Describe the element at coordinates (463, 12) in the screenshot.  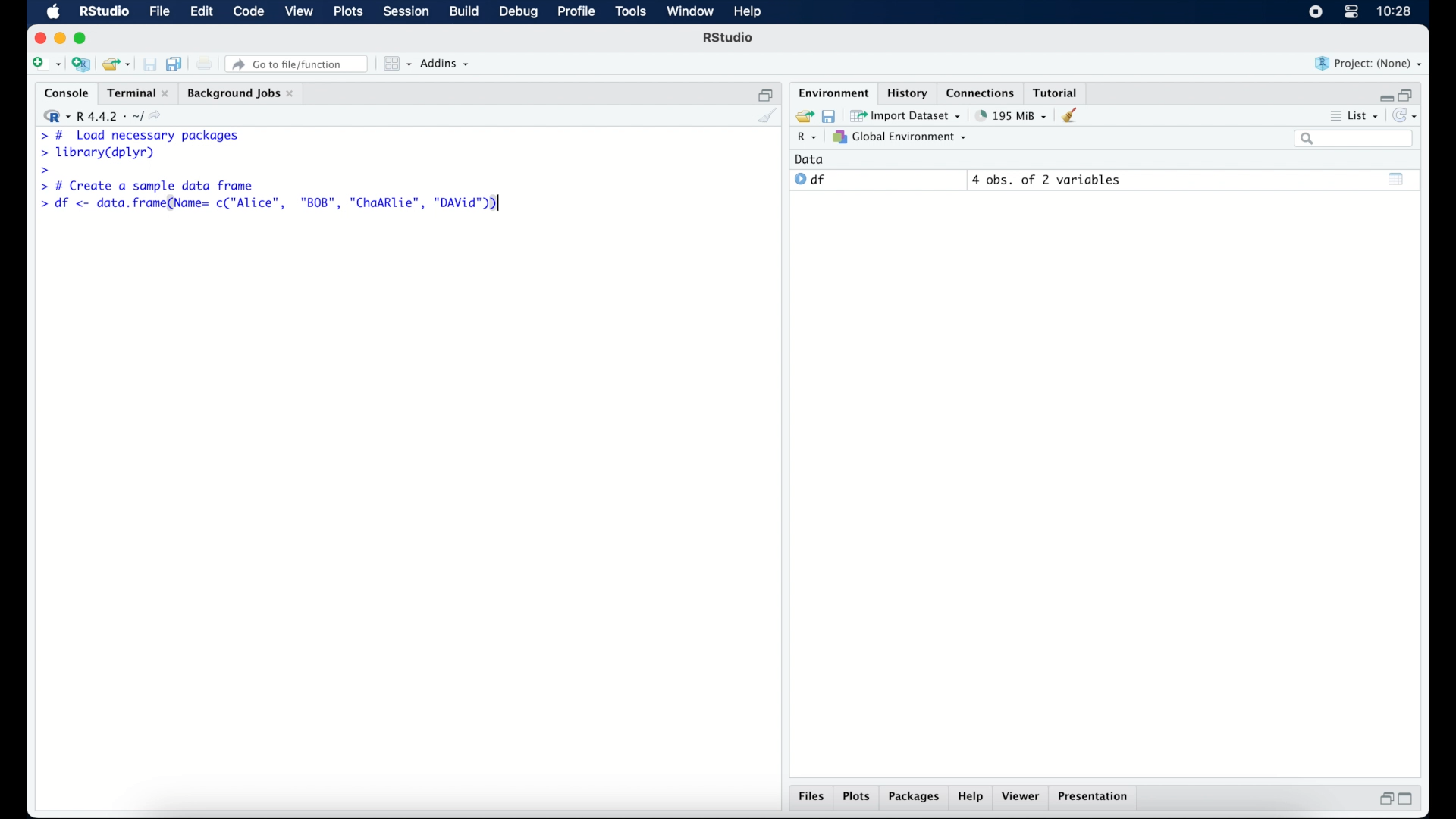
I see `build` at that location.